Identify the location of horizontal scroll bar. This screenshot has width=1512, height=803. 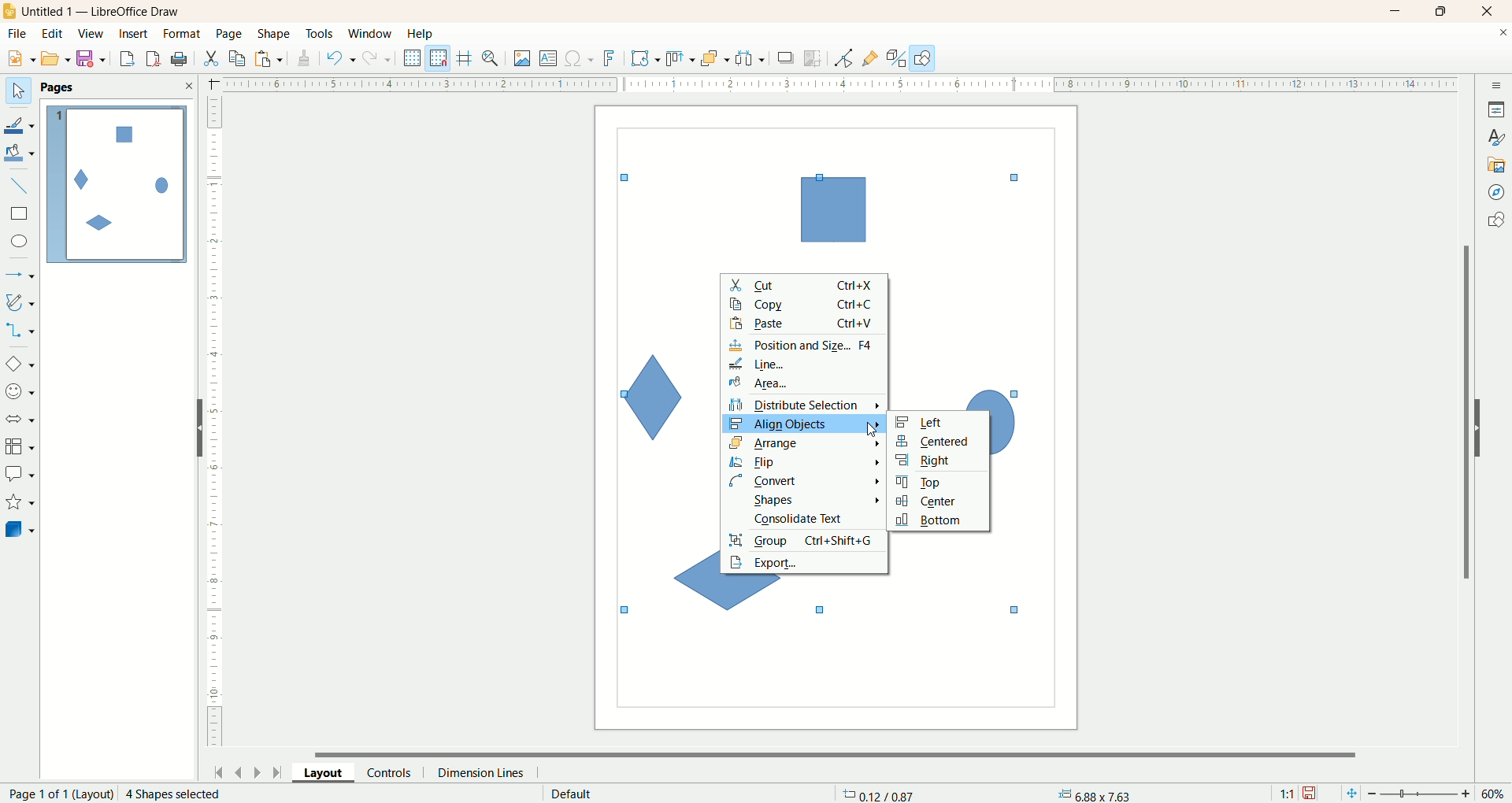
(845, 753).